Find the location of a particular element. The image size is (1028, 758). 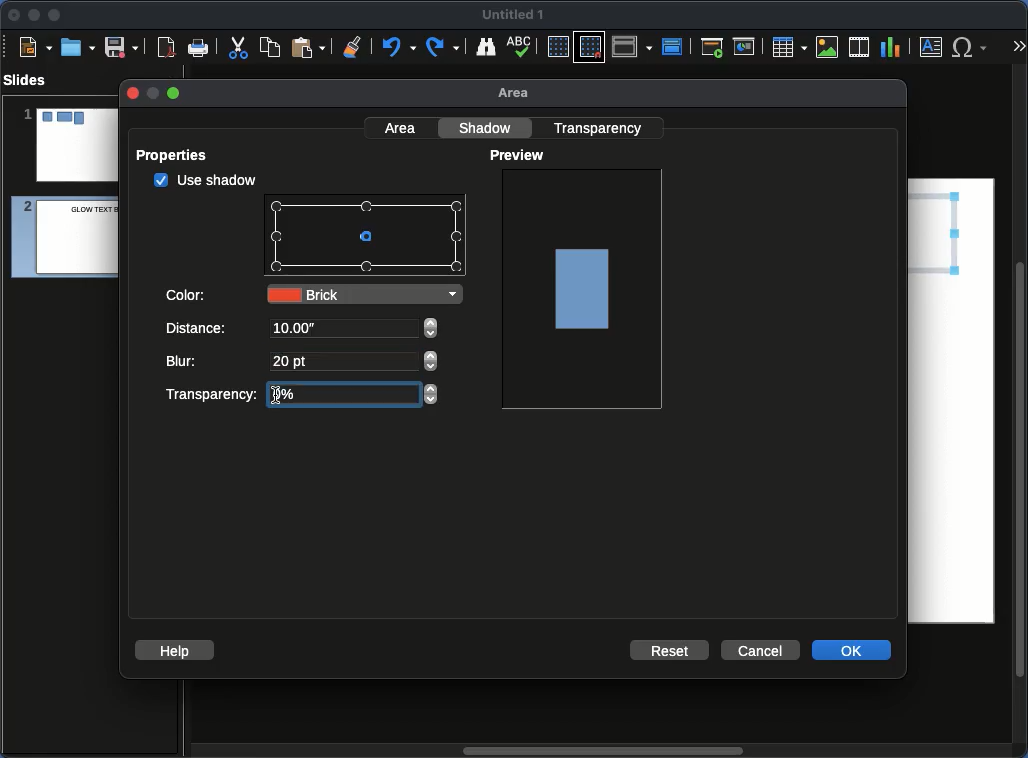

Scroll is located at coordinates (599, 752).